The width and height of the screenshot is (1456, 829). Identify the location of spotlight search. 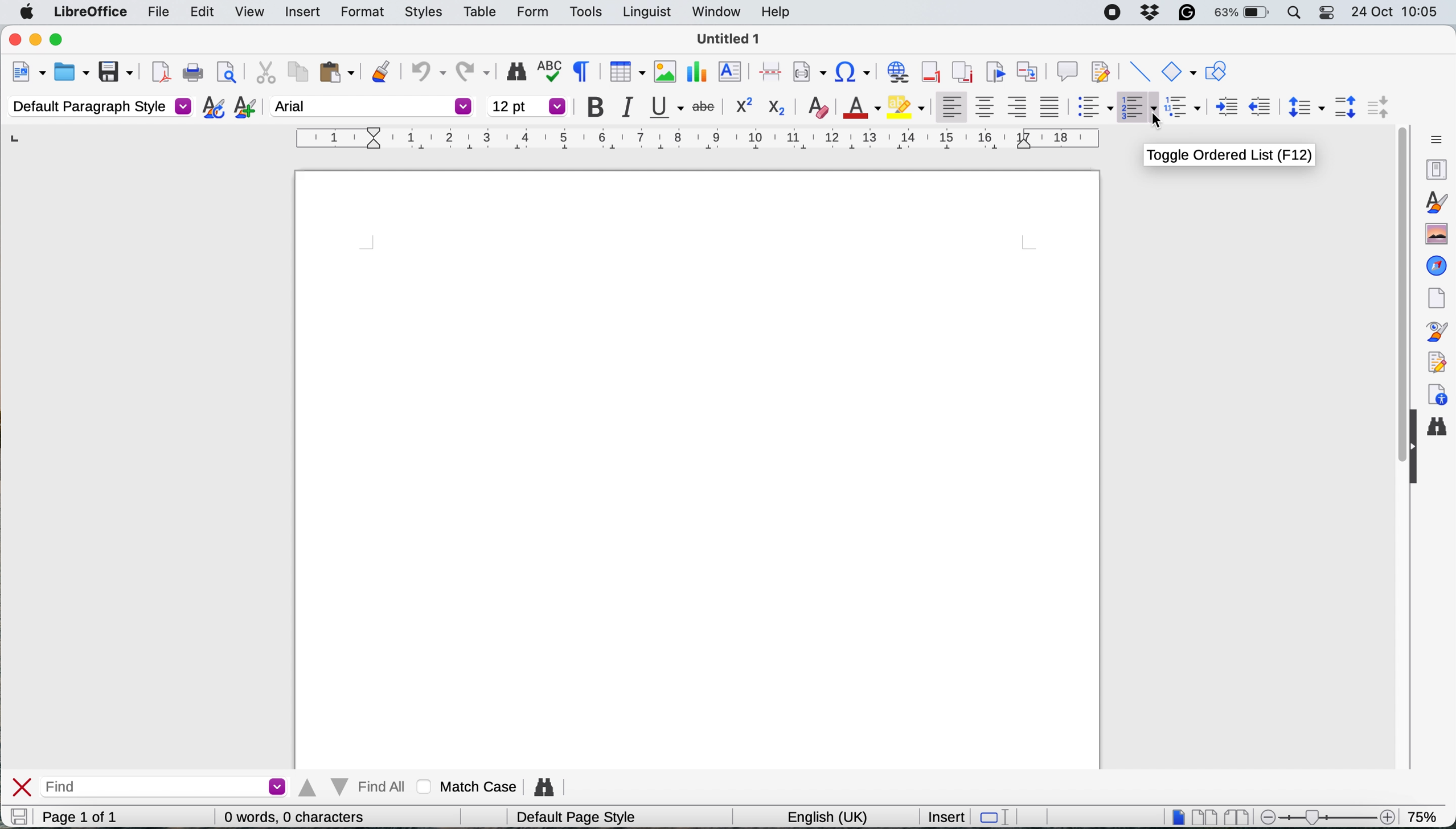
(1293, 13).